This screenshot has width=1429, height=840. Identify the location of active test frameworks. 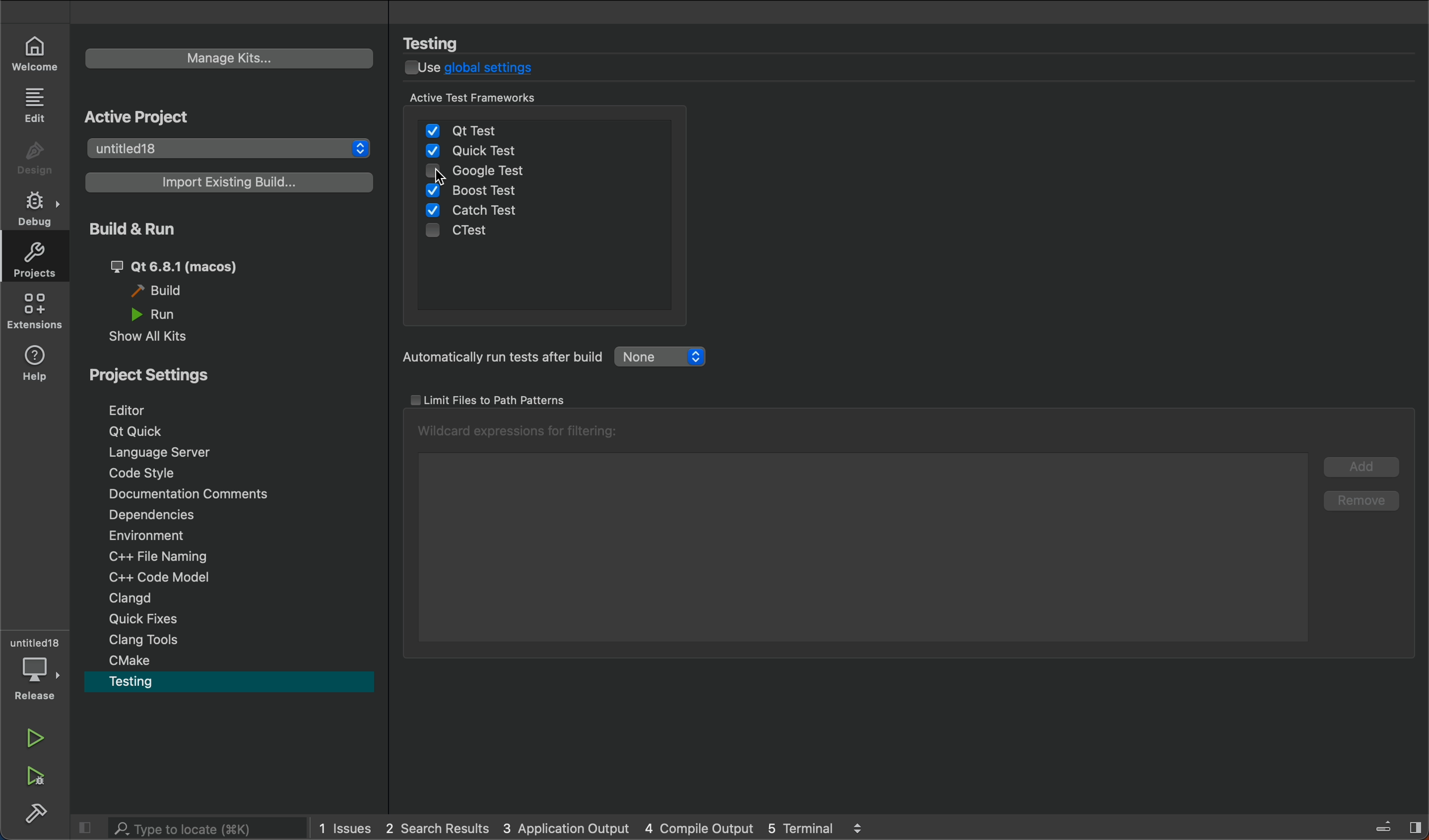
(509, 95).